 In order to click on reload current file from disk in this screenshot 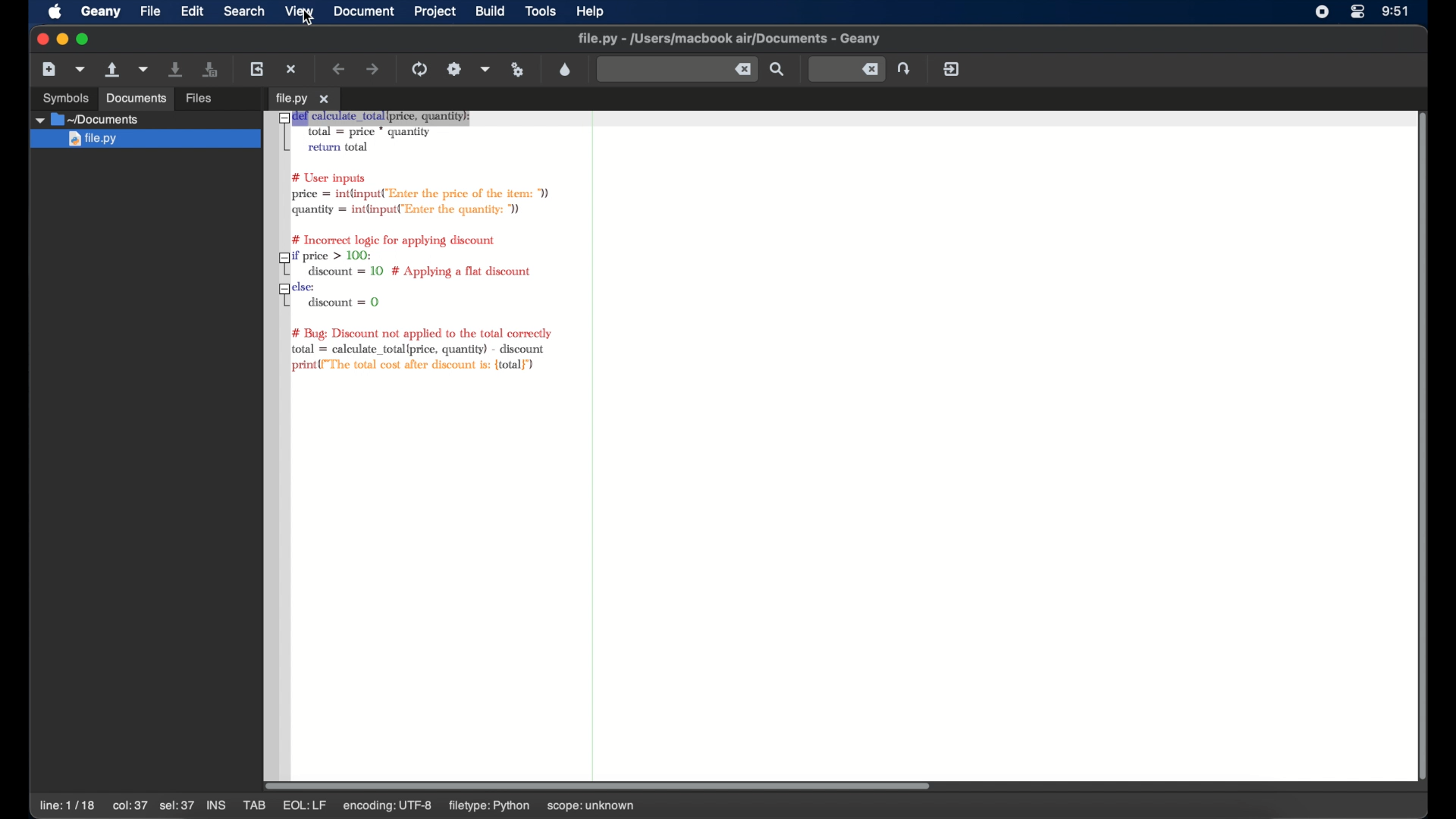, I will do `click(258, 69)`.